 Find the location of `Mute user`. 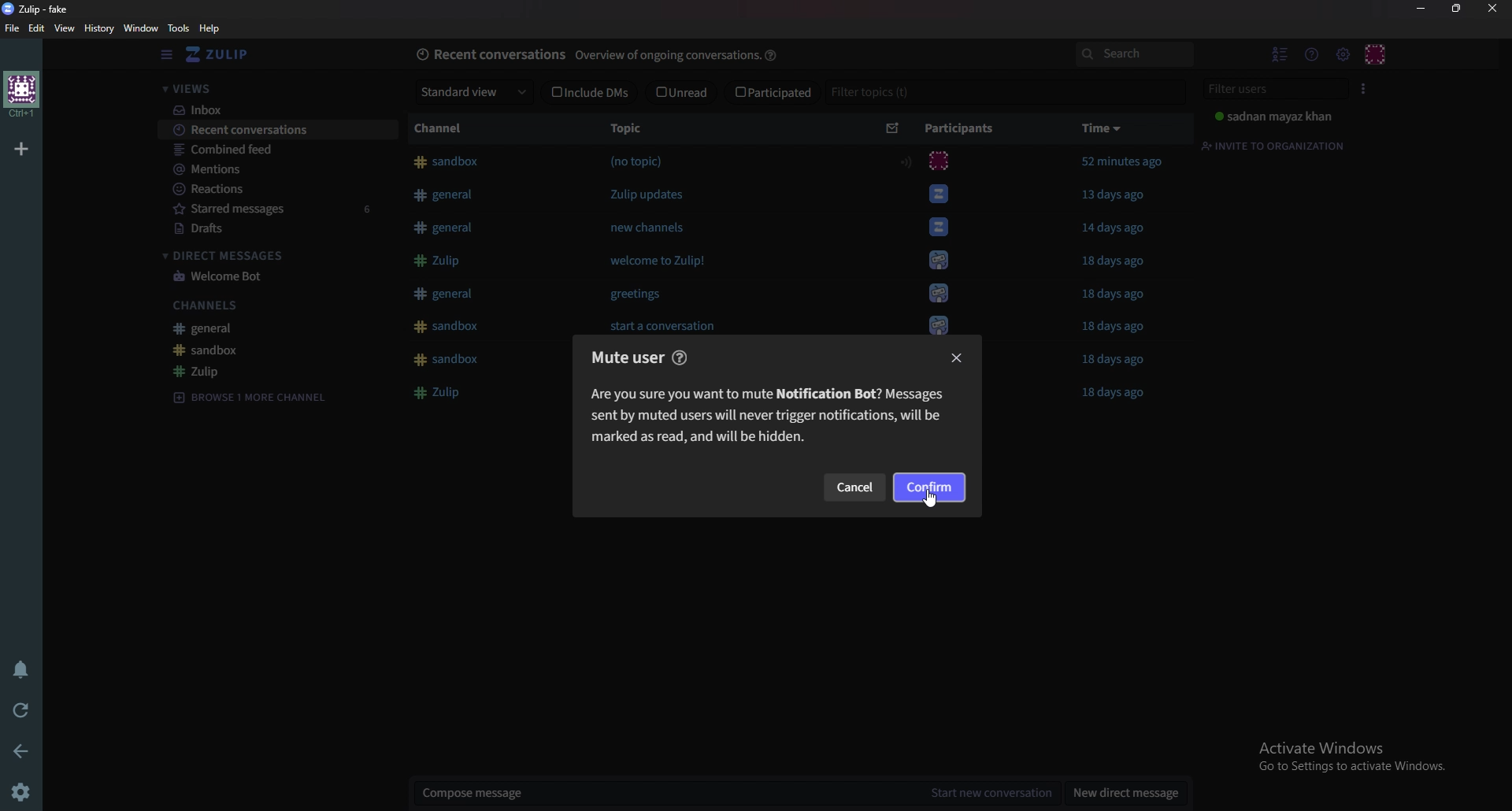

Mute user is located at coordinates (624, 358).